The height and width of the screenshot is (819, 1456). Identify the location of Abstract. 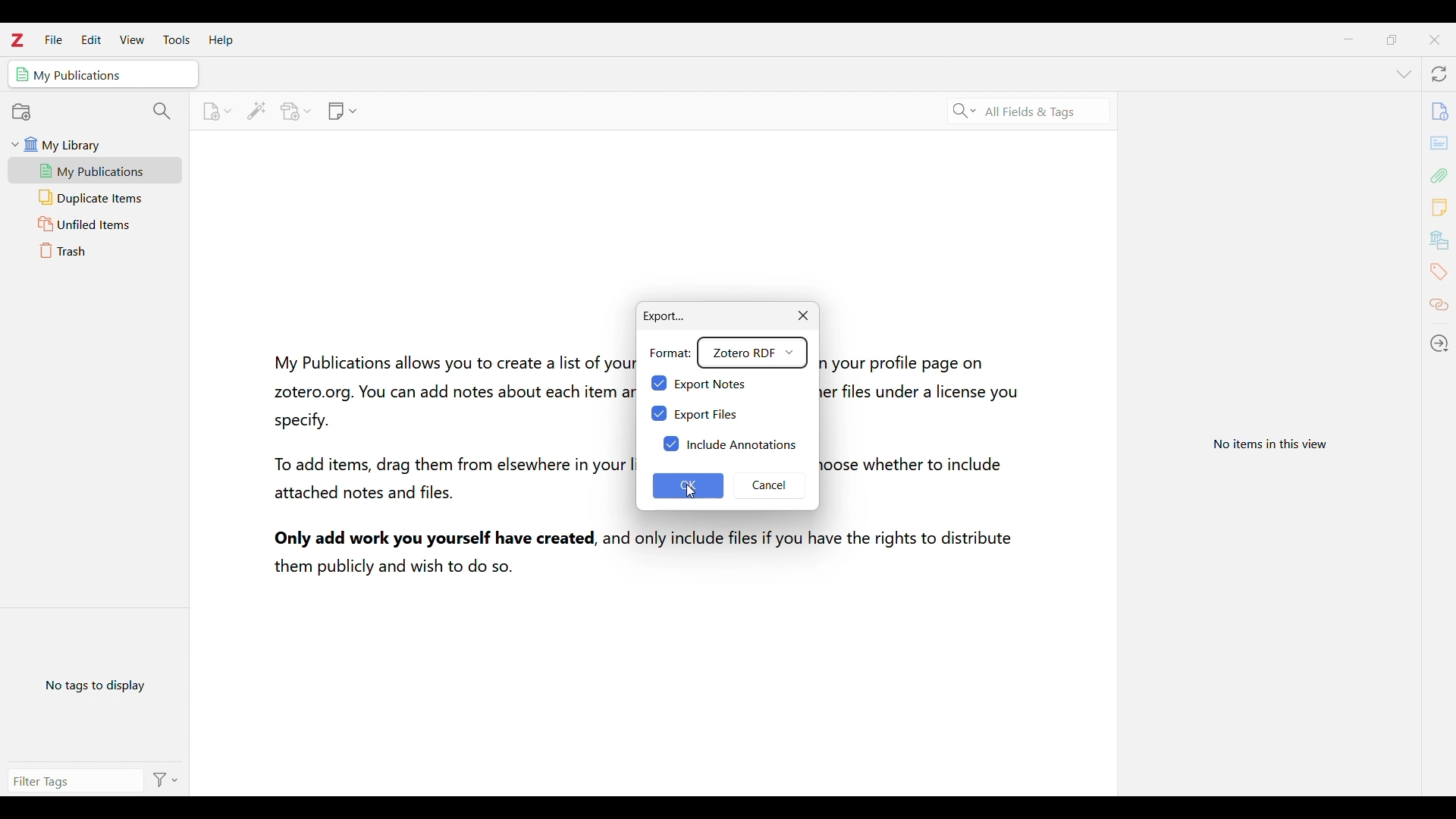
(1439, 143).